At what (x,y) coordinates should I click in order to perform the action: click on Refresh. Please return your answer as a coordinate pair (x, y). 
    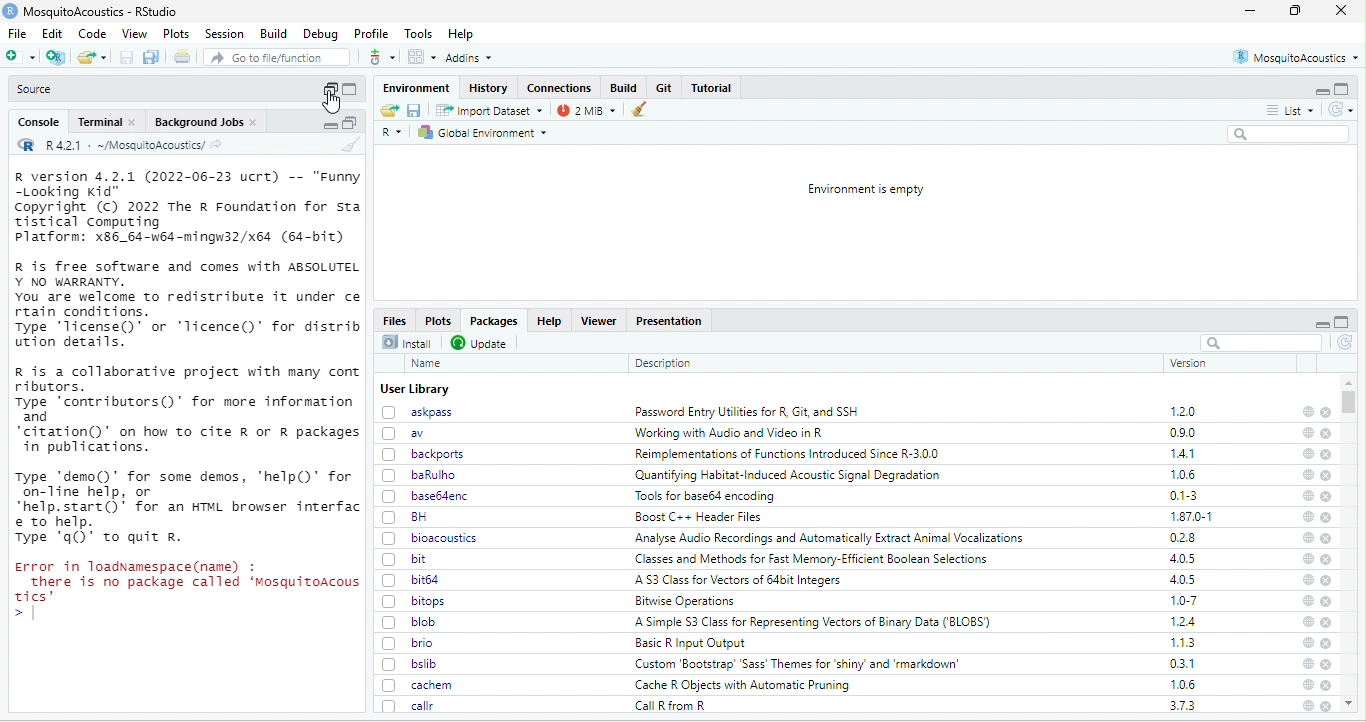
    Looking at the image, I should click on (1340, 109).